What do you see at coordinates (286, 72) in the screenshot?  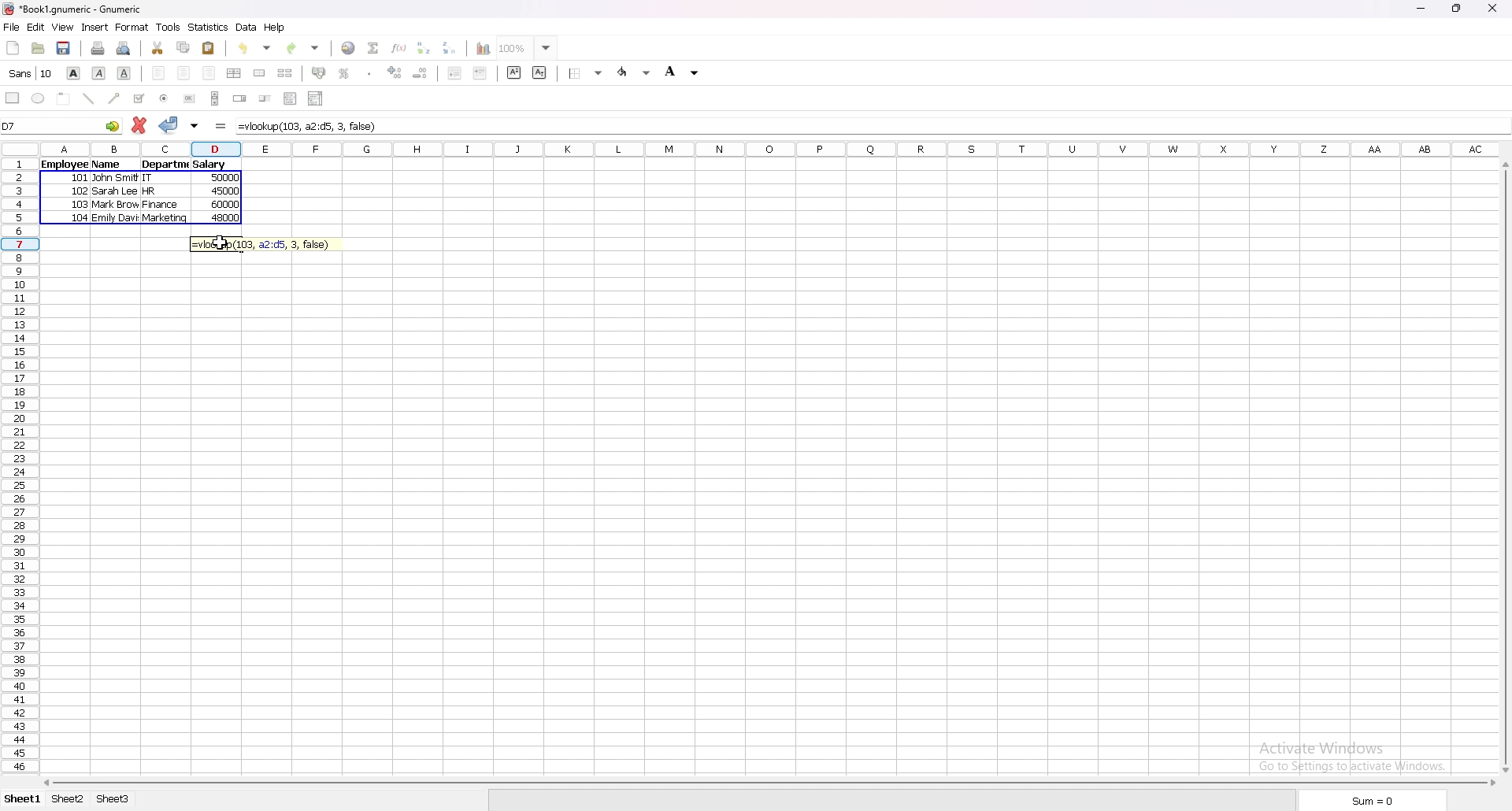 I see `split merged` at bounding box center [286, 72].